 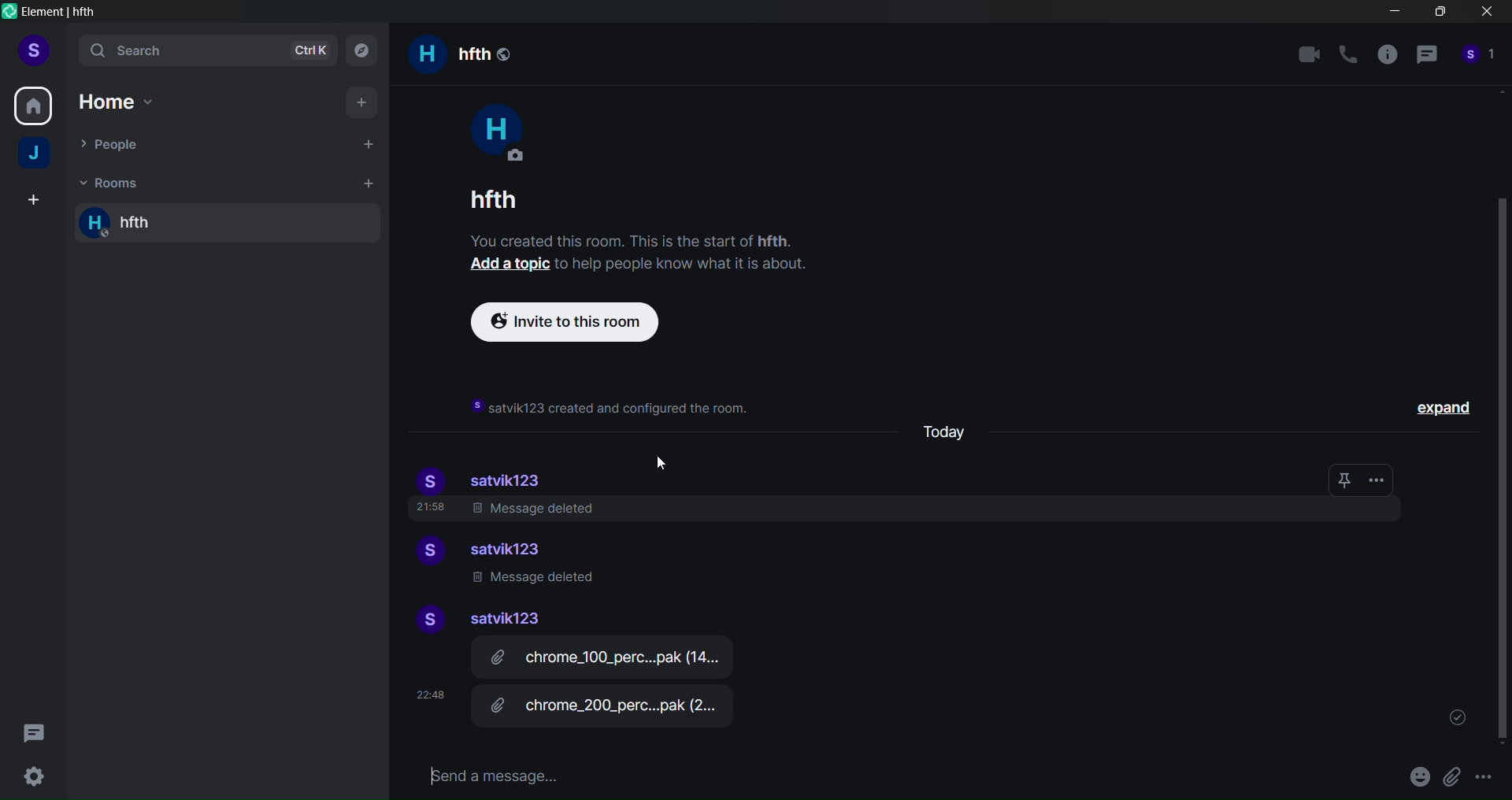 I want to click on User, so click(x=497, y=546).